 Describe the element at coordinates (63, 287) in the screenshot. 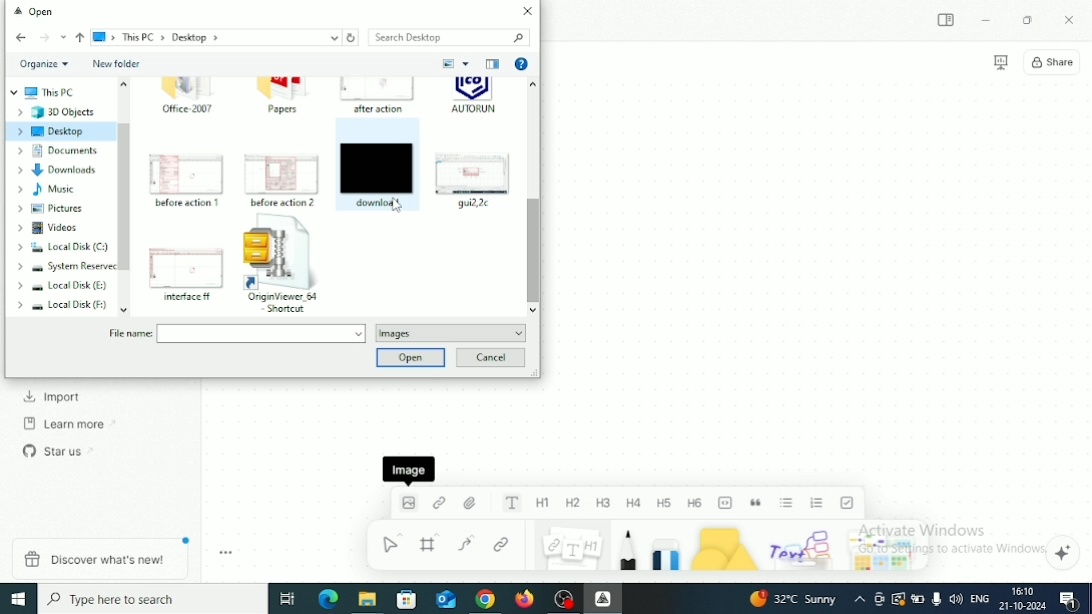

I see `Local Disk (E:)` at that location.